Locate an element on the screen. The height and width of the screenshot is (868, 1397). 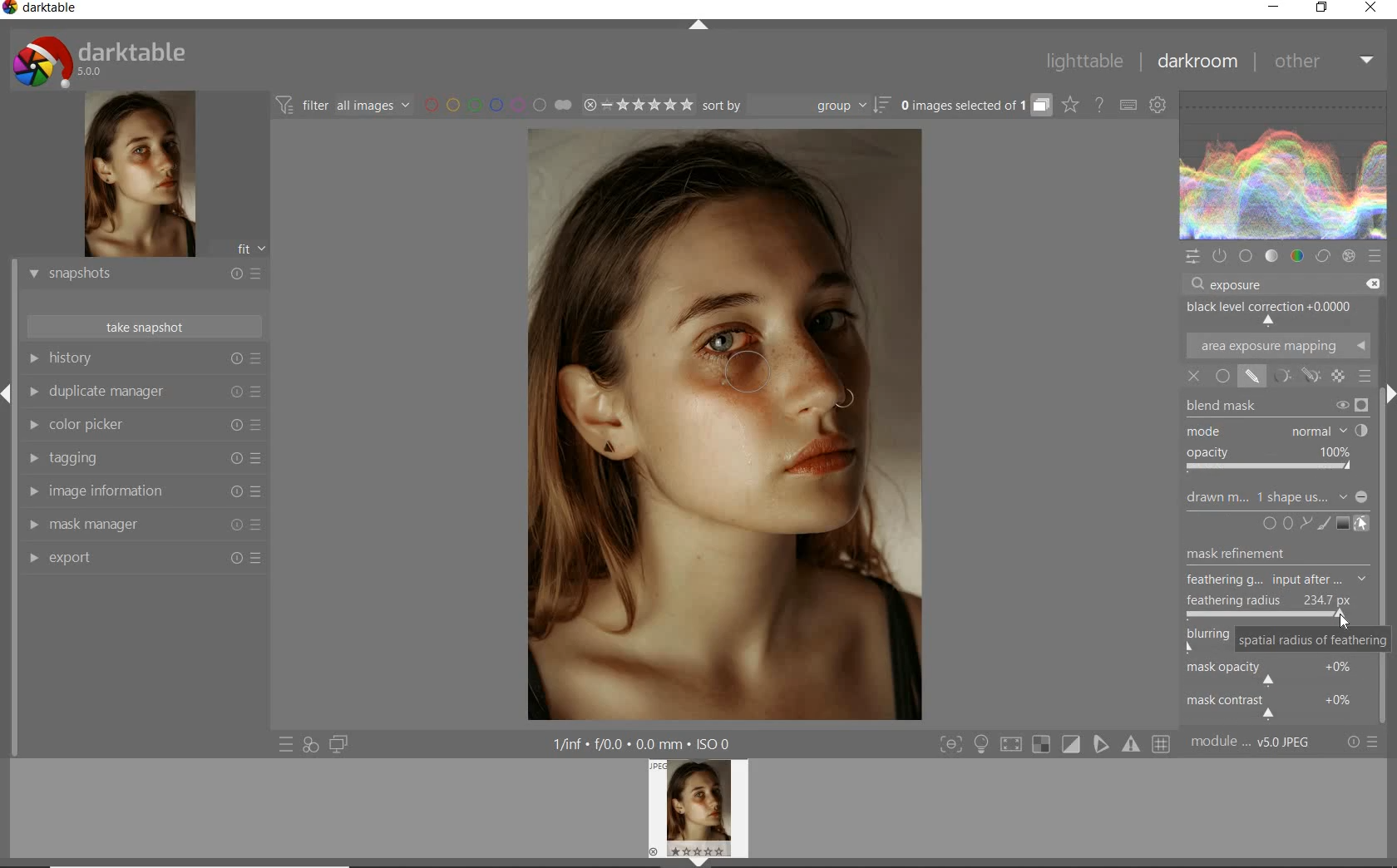
quick access panel is located at coordinates (1191, 257).